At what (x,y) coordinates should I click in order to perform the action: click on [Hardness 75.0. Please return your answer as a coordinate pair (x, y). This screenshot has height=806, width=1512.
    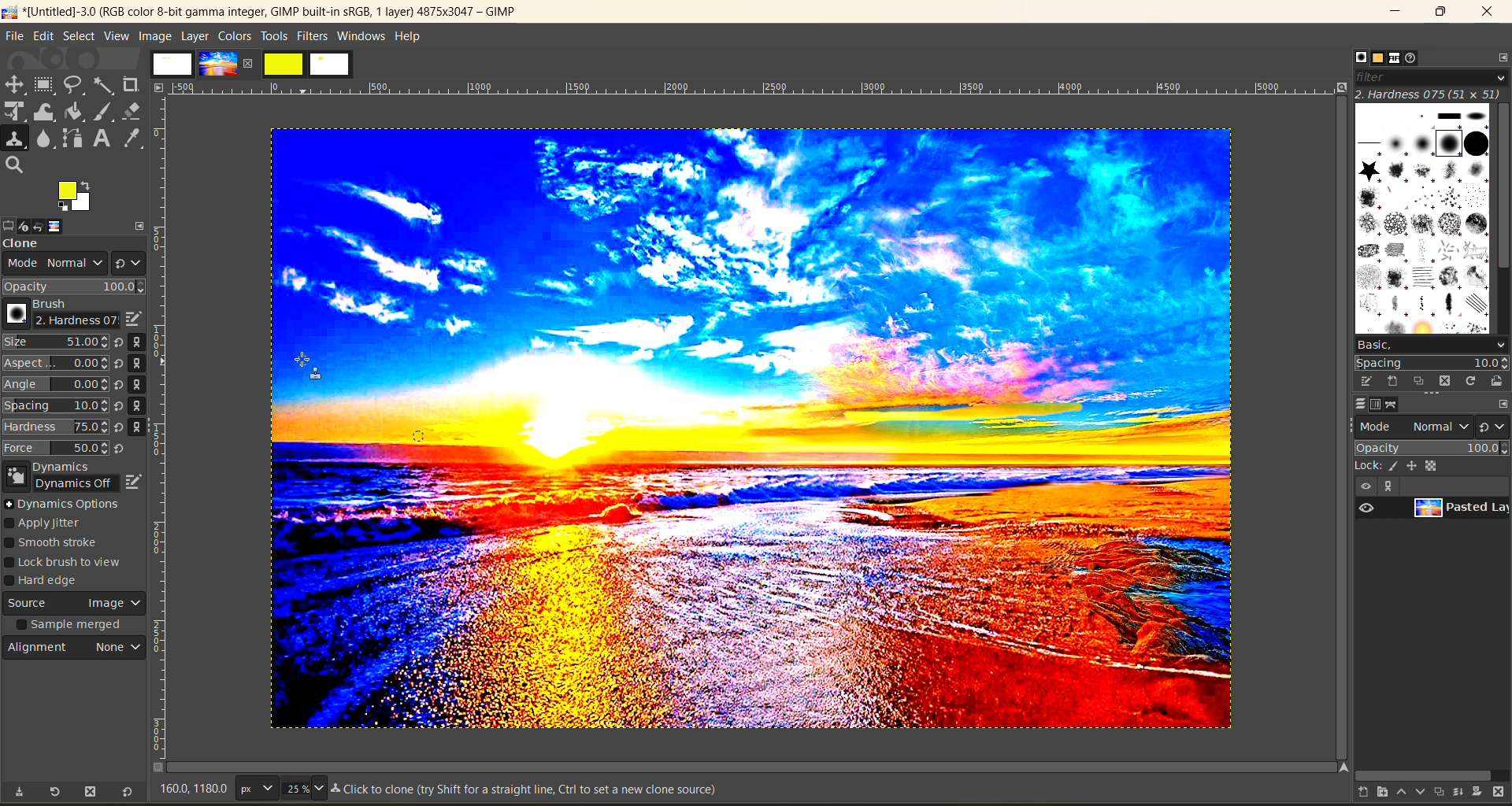
    Looking at the image, I should click on (55, 425).